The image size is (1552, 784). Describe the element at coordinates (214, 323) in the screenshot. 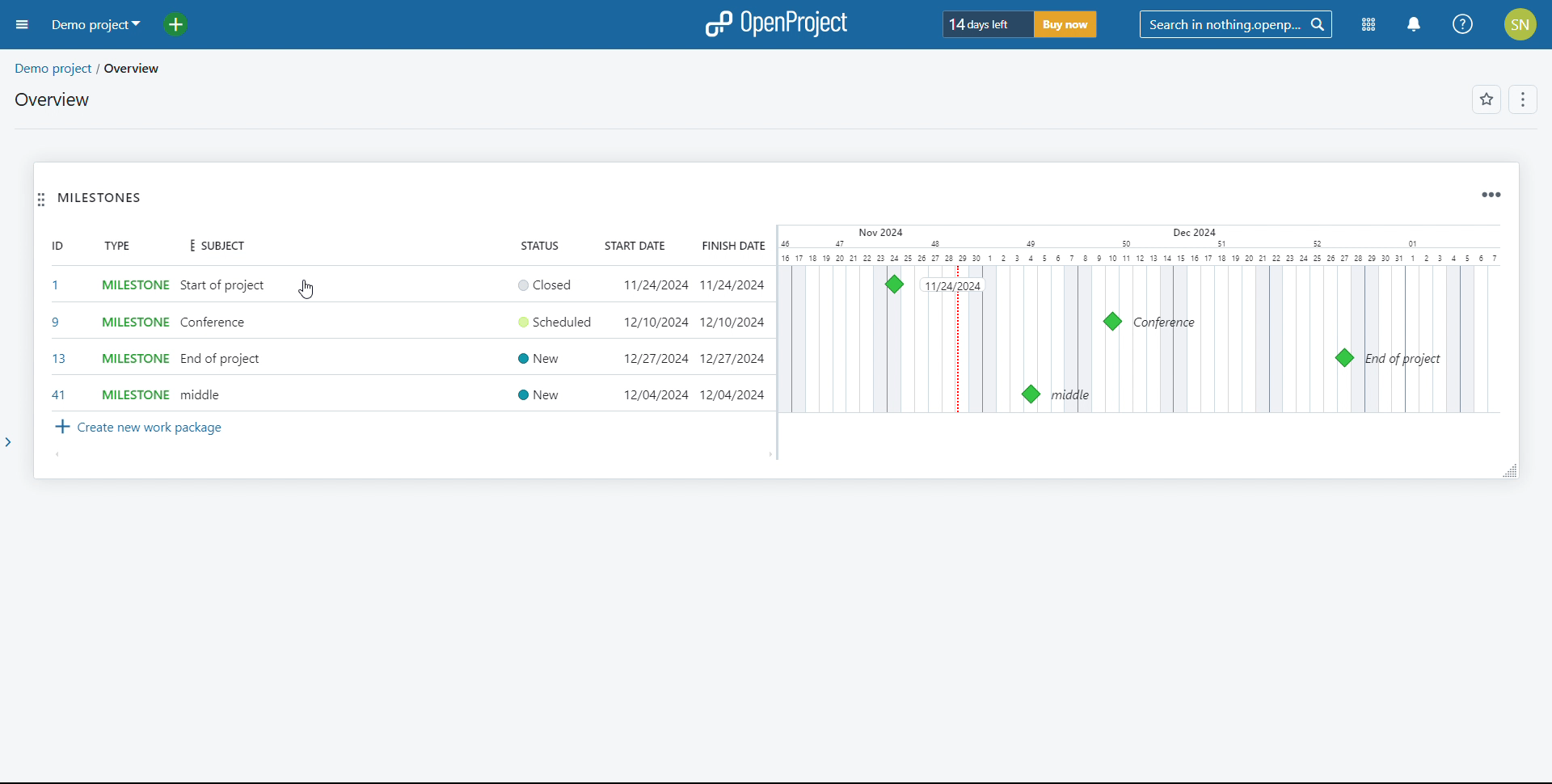

I see `conference` at that location.